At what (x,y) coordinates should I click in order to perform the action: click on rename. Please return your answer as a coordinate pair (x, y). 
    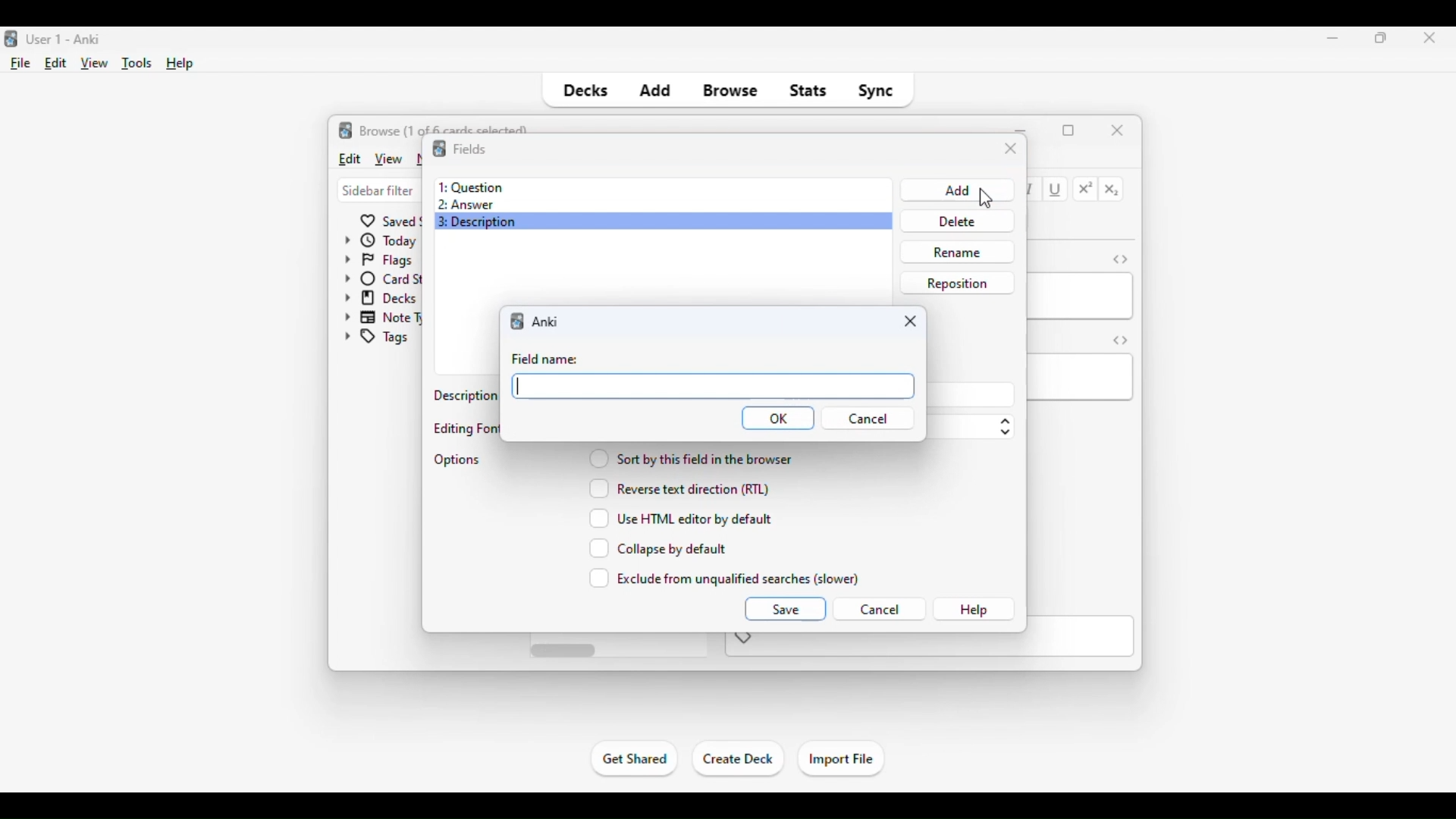
    Looking at the image, I should click on (956, 252).